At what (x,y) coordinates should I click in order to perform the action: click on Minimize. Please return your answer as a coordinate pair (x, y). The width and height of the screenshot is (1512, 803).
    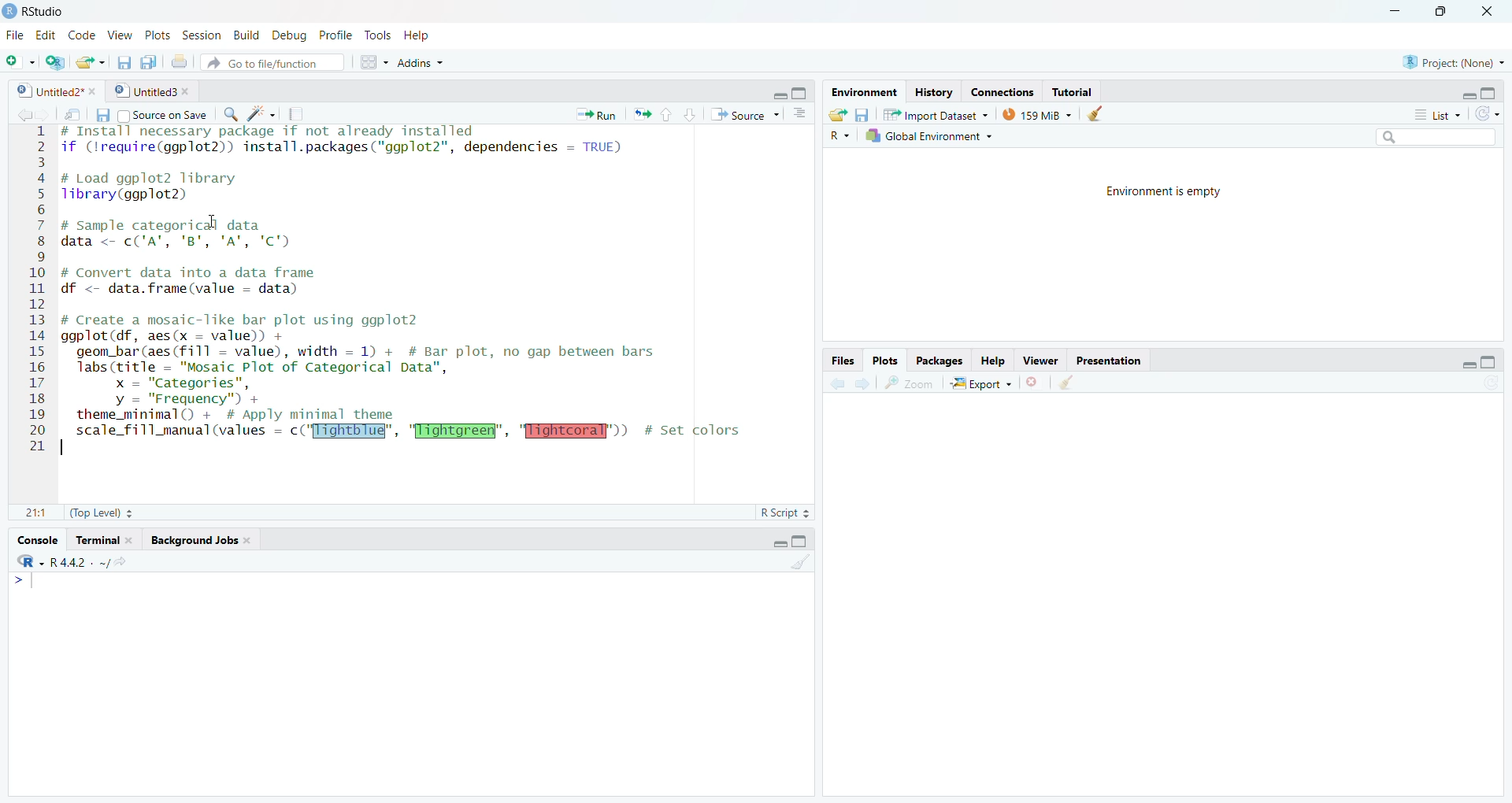
    Looking at the image, I should click on (1467, 92).